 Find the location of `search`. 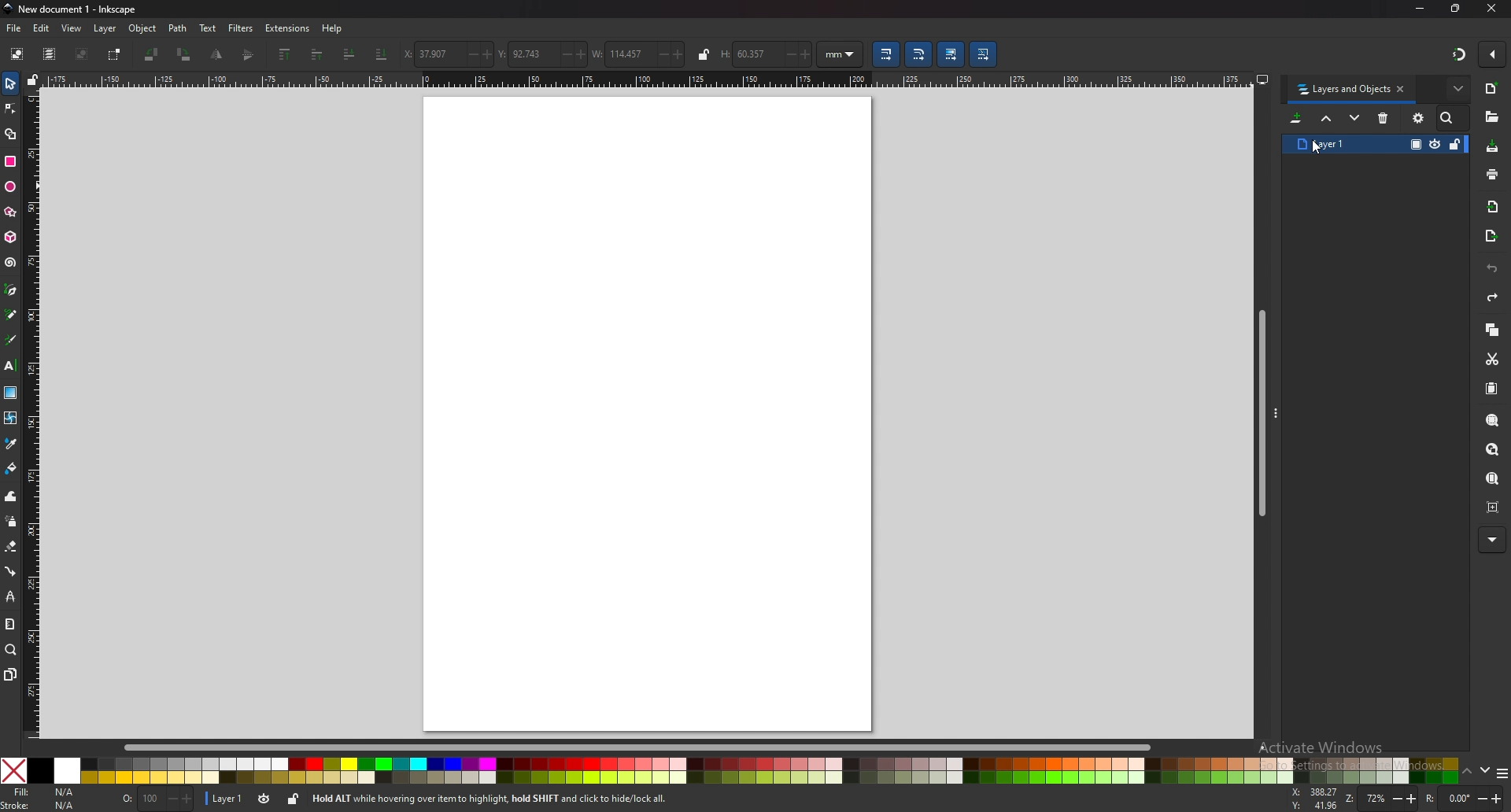

search is located at coordinates (1449, 118).